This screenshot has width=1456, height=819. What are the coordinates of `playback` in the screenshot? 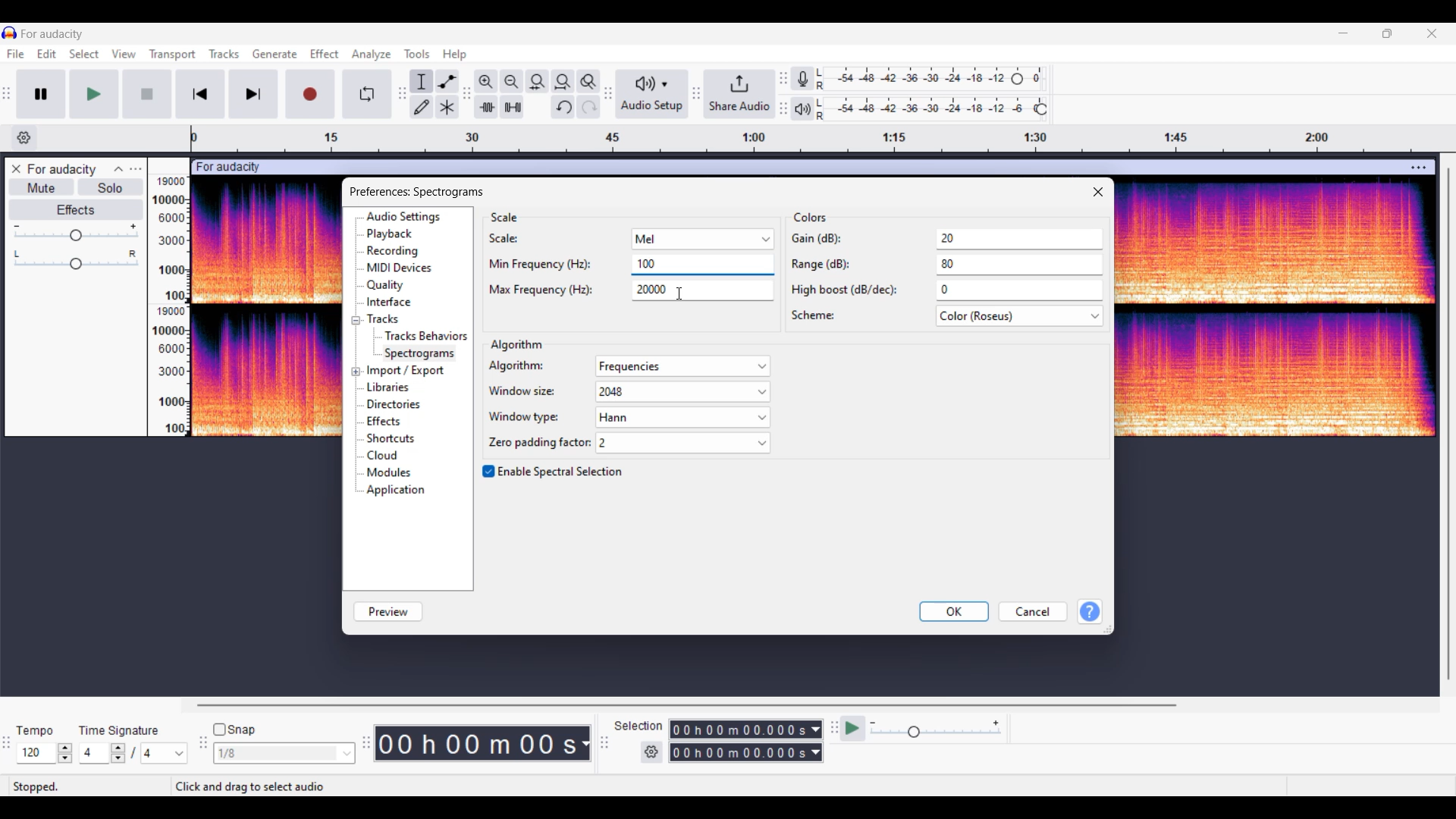 It's located at (396, 234).